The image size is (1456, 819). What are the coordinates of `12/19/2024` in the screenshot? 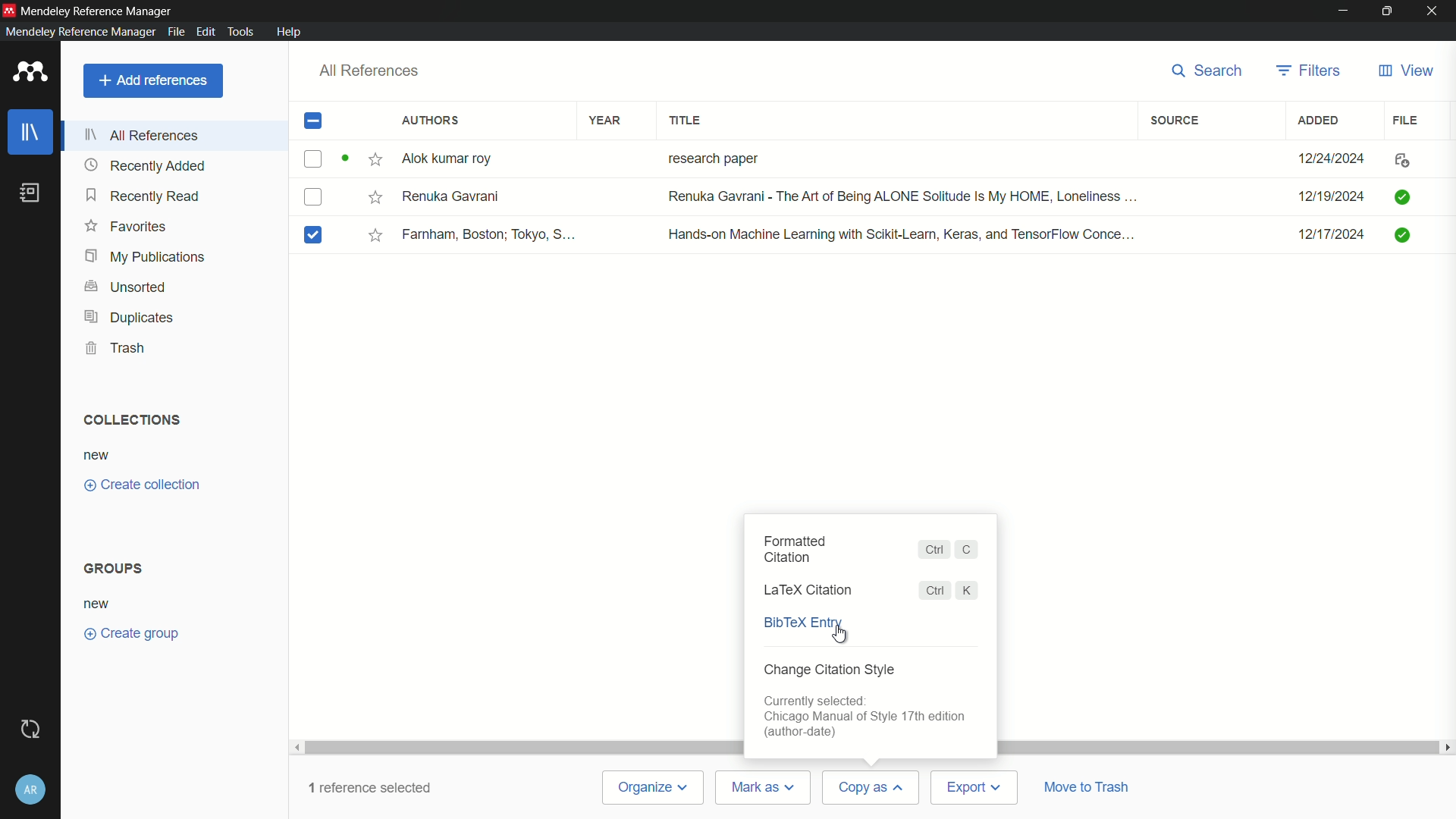 It's located at (1329, 195).